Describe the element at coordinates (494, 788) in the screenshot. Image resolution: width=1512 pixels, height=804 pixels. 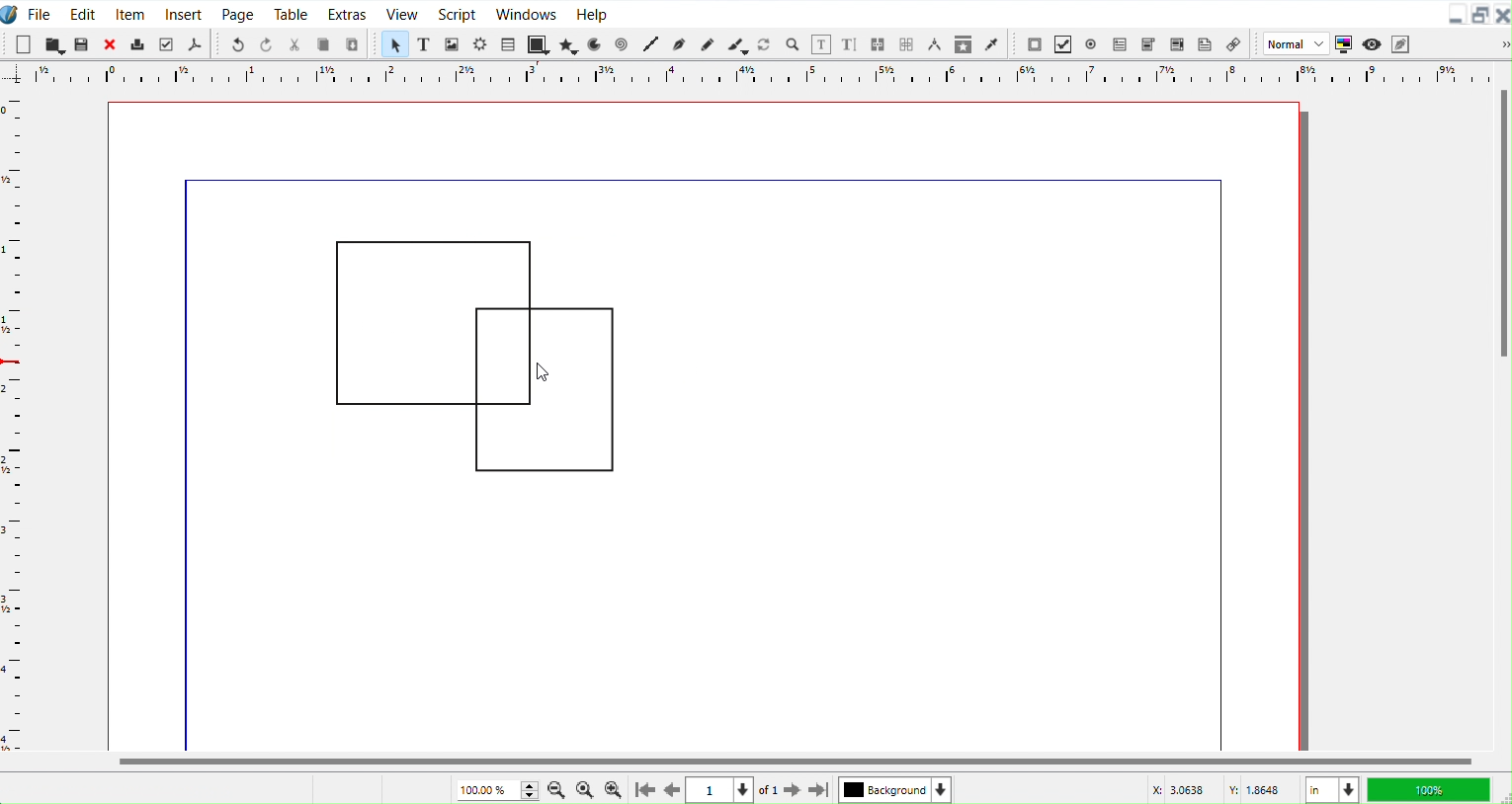
I see `Current Zoom level` at that location.